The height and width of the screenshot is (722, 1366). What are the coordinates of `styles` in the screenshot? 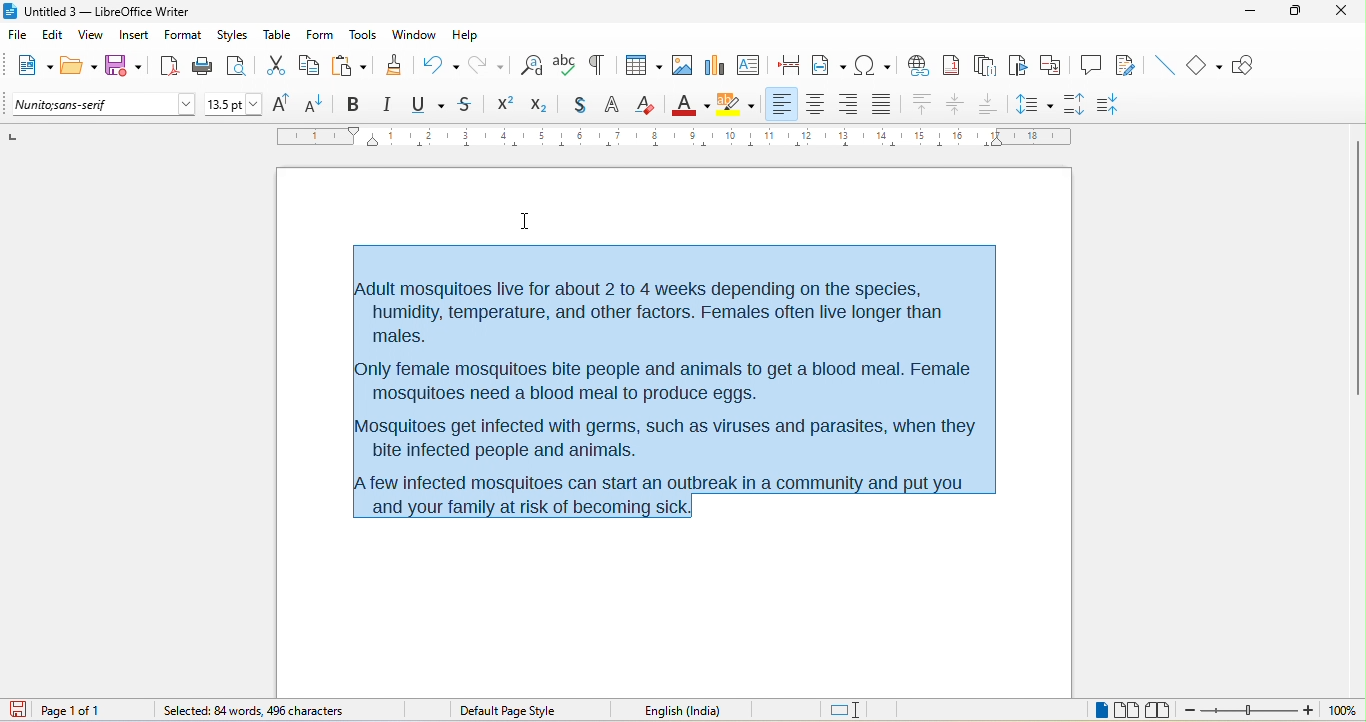 It's located at (234, 36).